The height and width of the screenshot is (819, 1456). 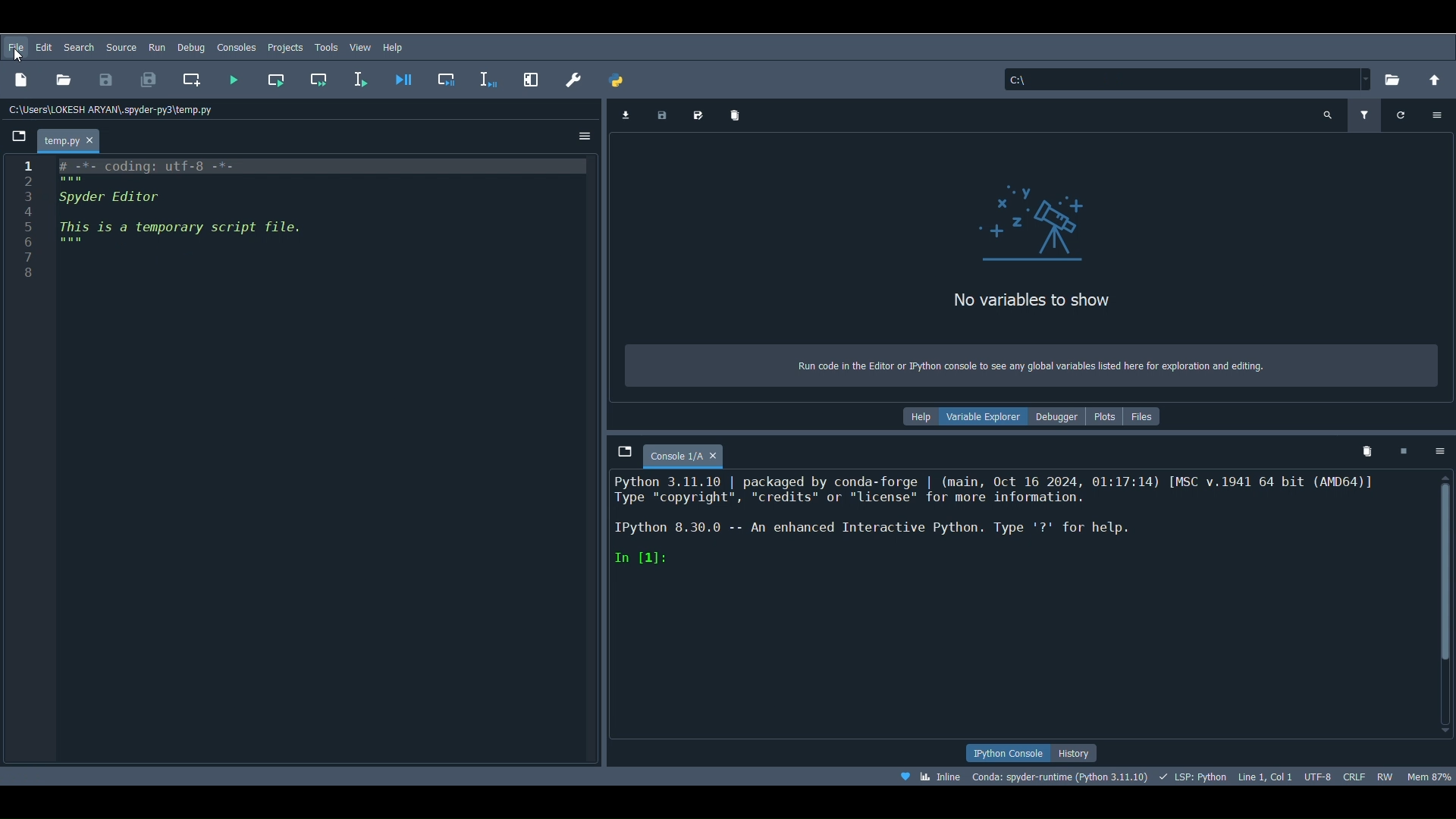 I want to click on Debug selection or current line, so click(x=491, y=77).